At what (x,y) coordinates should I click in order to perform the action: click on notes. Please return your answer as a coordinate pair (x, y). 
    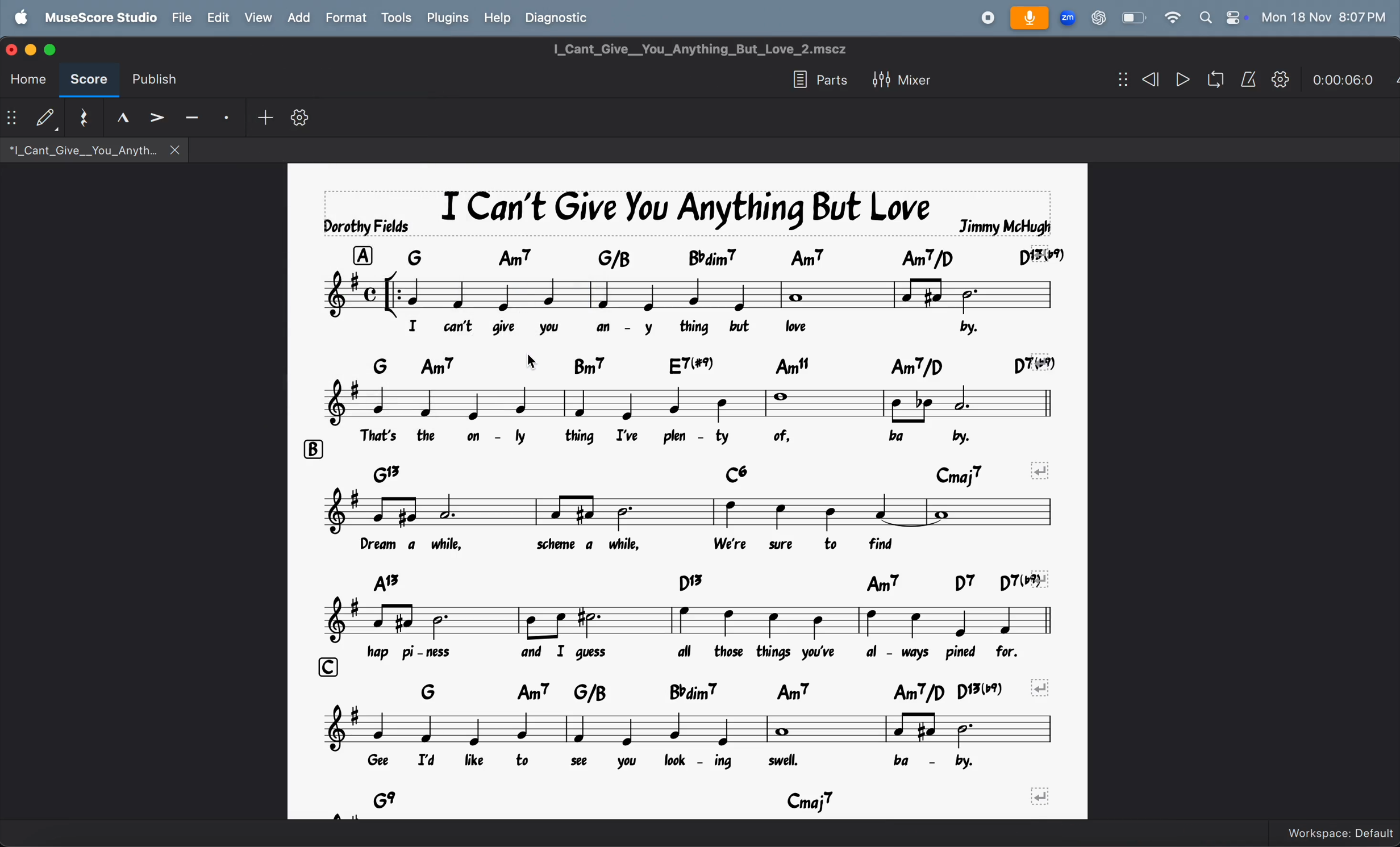
    Looking at the image, I should click on (687, 293).